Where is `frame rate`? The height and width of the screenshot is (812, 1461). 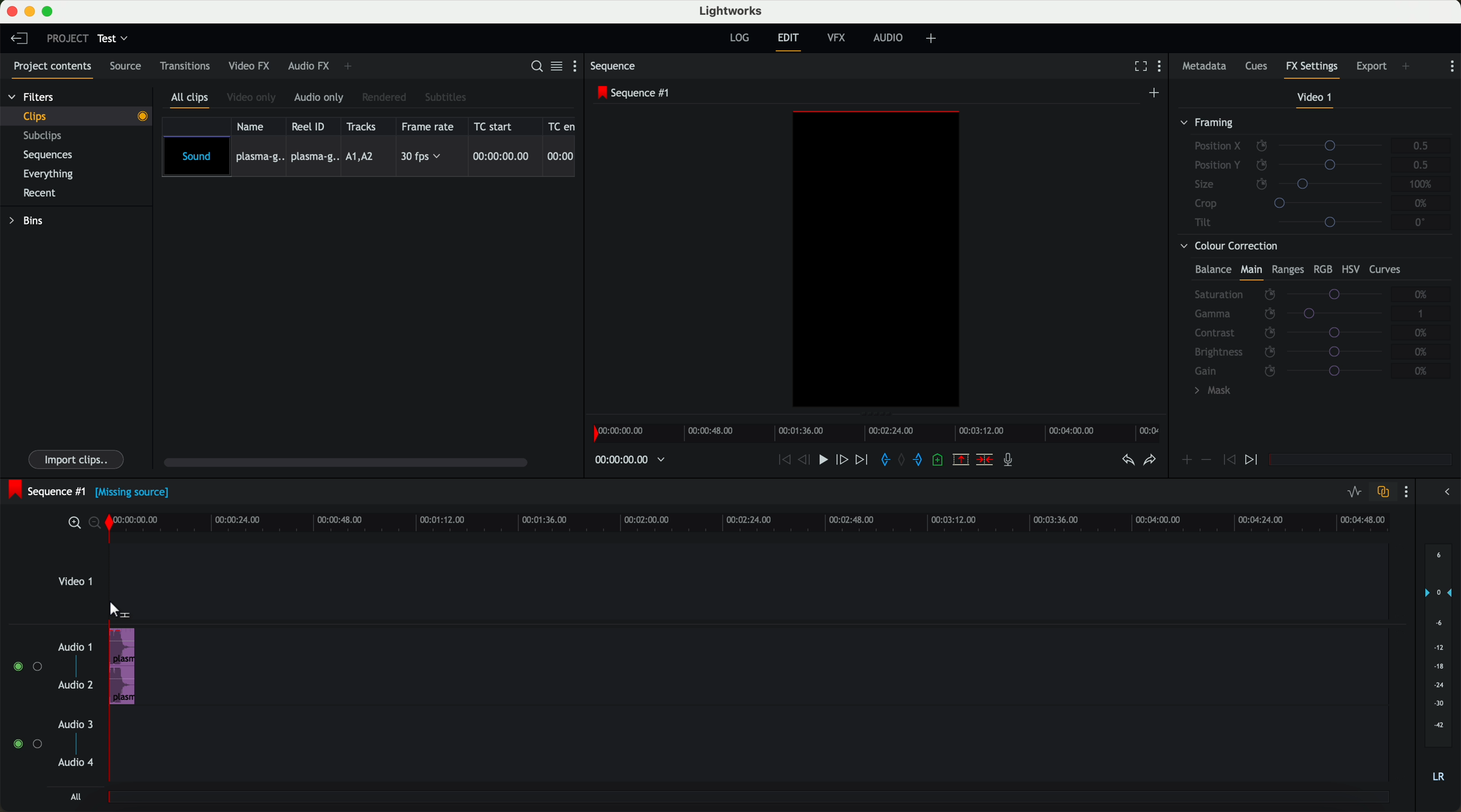 frame rate is located at coordinates (430, 126).